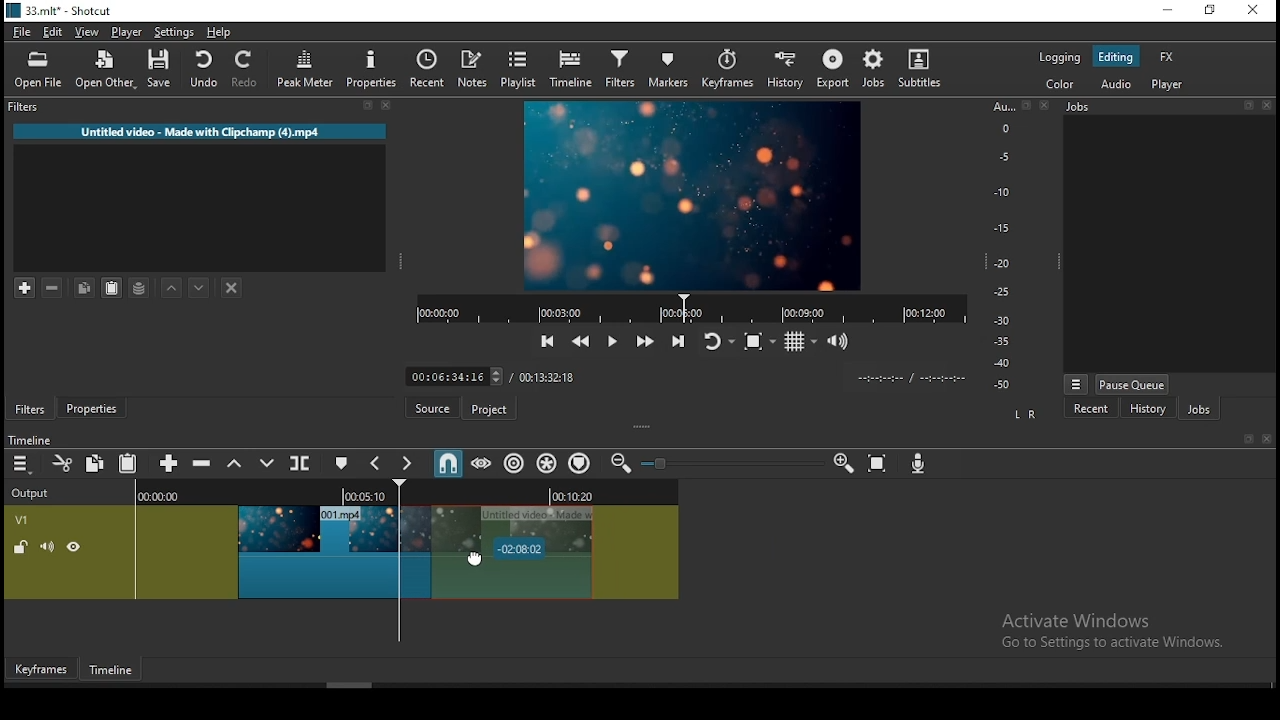 Image resolution: width=1280 pixels, height=720 pixels. What do you see at coordinates (759, 341) in the screenshot?
I see `toggle zoom` at bounding box center [759, 341].